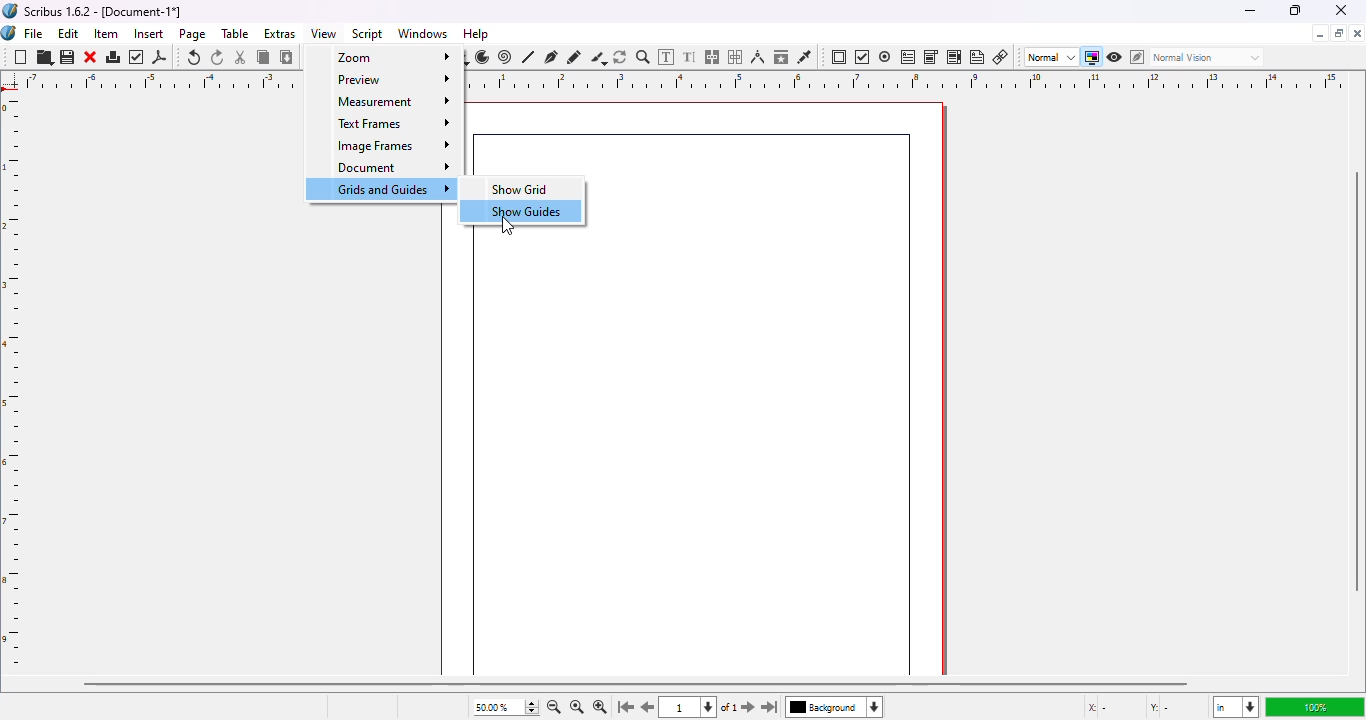 This screenshot has width=1366, height=720. What do you see at coordinates (160, 57) in the screenshot?
I see `export as PDF` at bounding box center [160, 57].